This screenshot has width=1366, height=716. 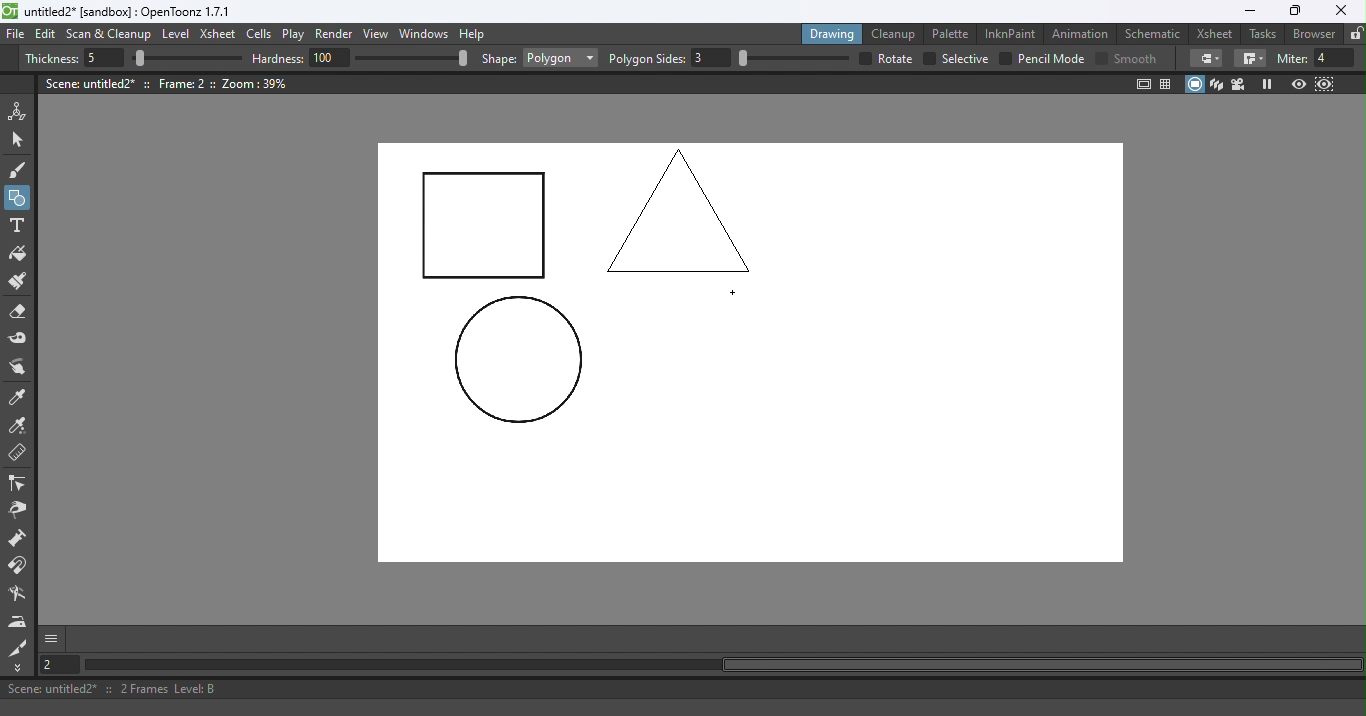 What do you see at coordinates (19, 566) in the screenshot?
I see `Magnet tool` at bounding box center [19, 566].